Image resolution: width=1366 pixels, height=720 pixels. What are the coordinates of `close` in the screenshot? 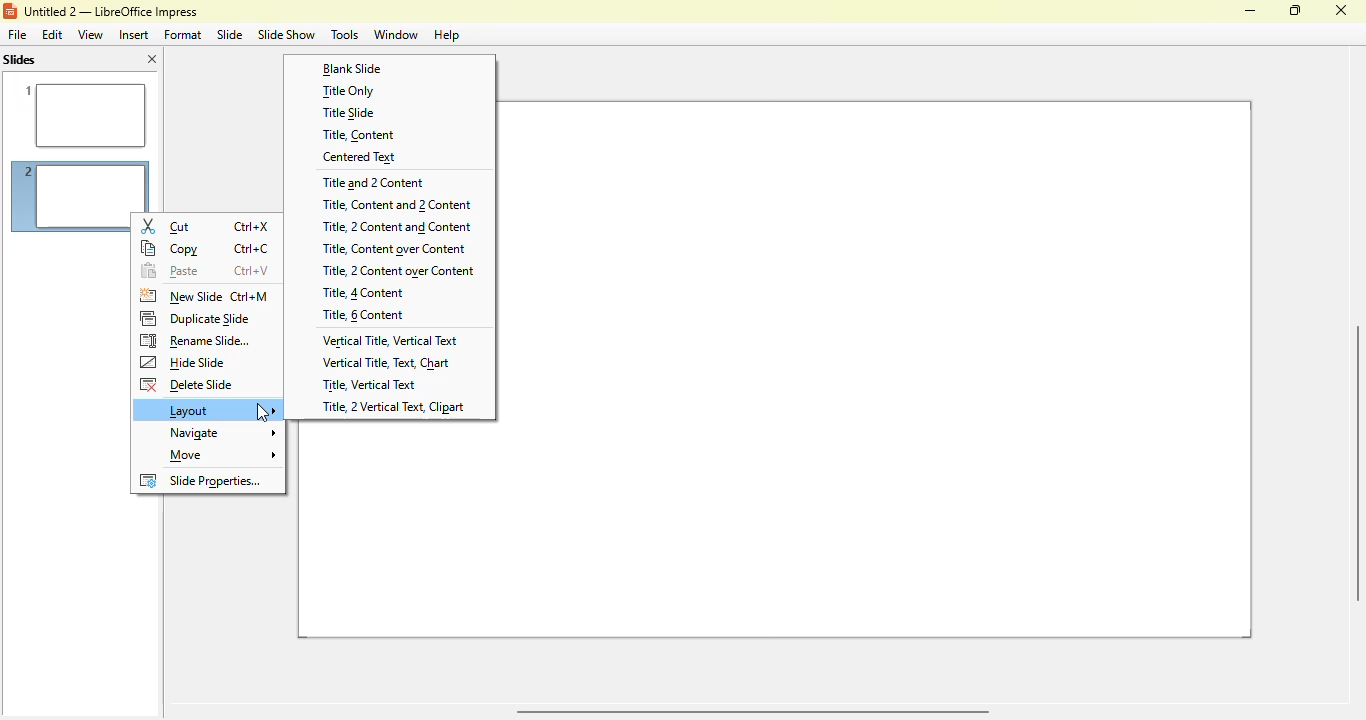 It's located at (1340, 10).